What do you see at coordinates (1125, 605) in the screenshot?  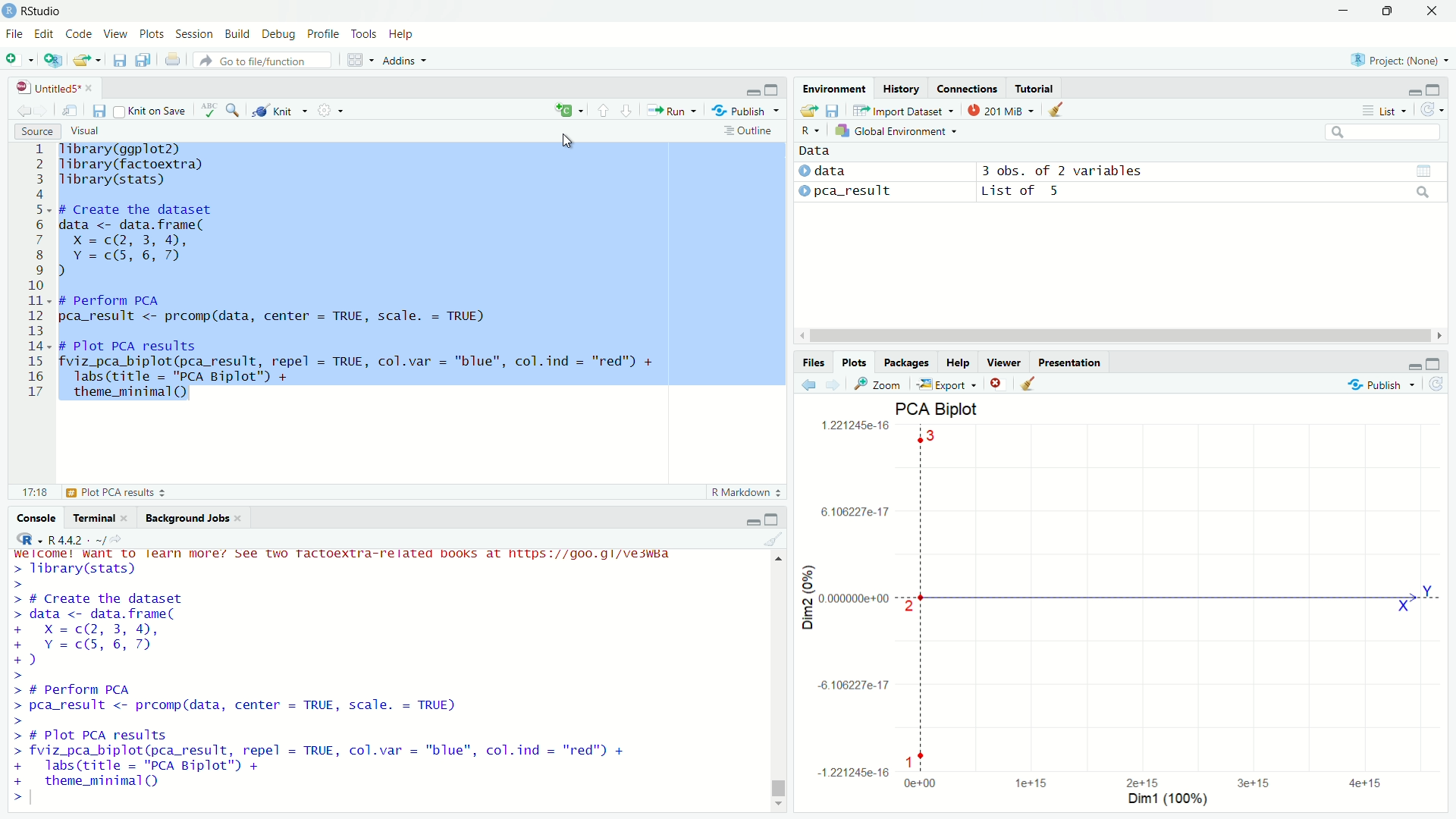 I see `PCA biplot` at bounding box center [1125, 605].